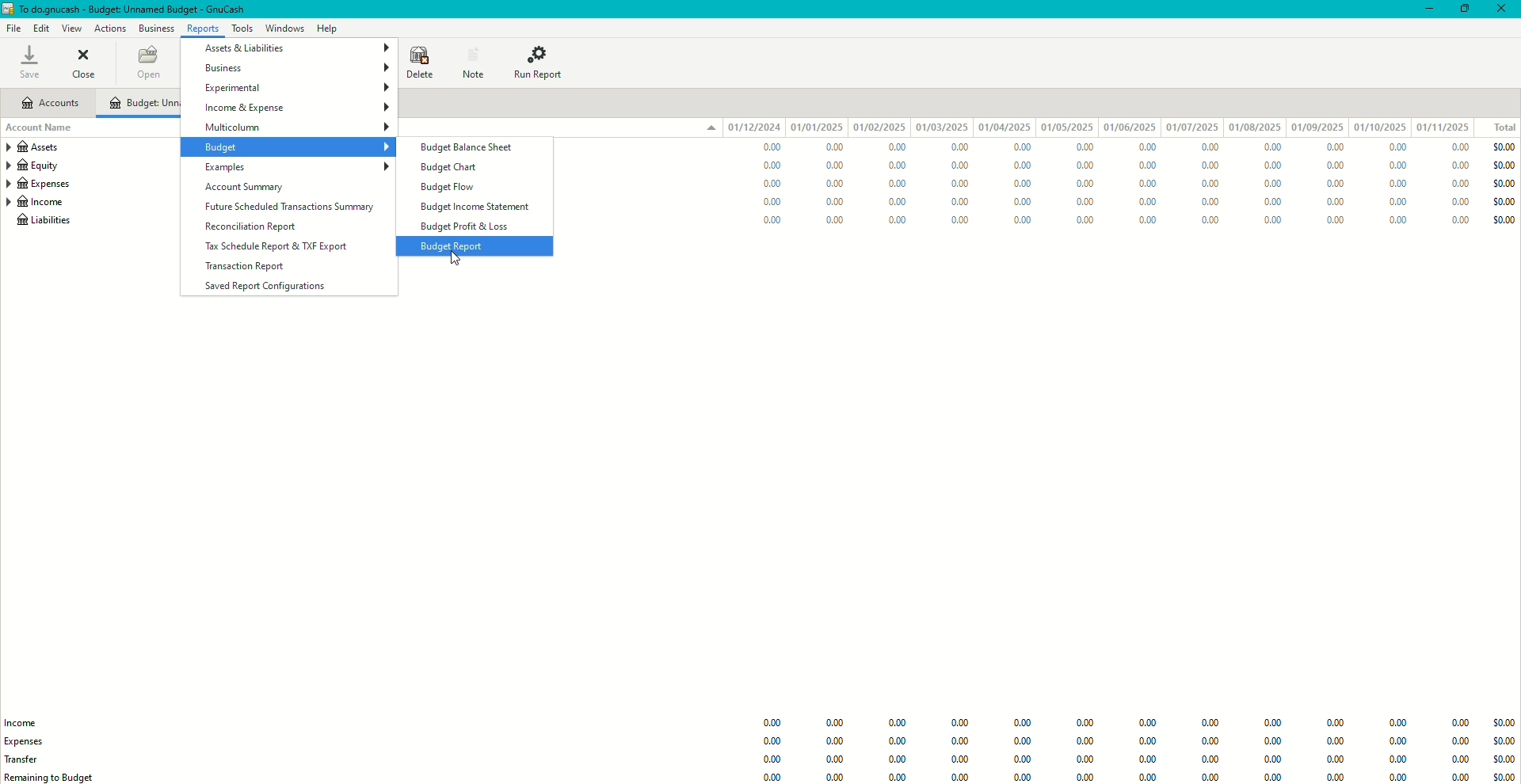  Describe the element at coordinates (51, 778) in the screenshot. I see `Remaining to Budget` at that location.